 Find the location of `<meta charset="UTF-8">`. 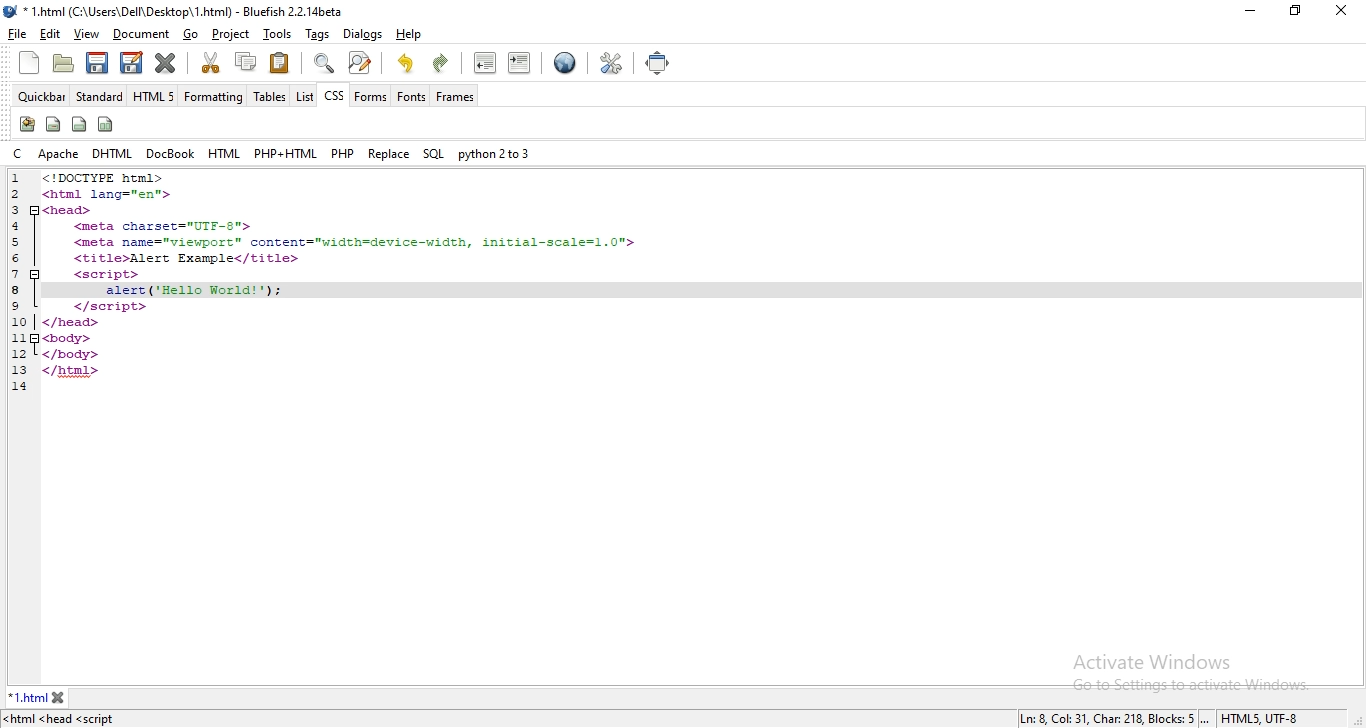

<meta charset="UTF-8"> is located at coordinates (166, 227).